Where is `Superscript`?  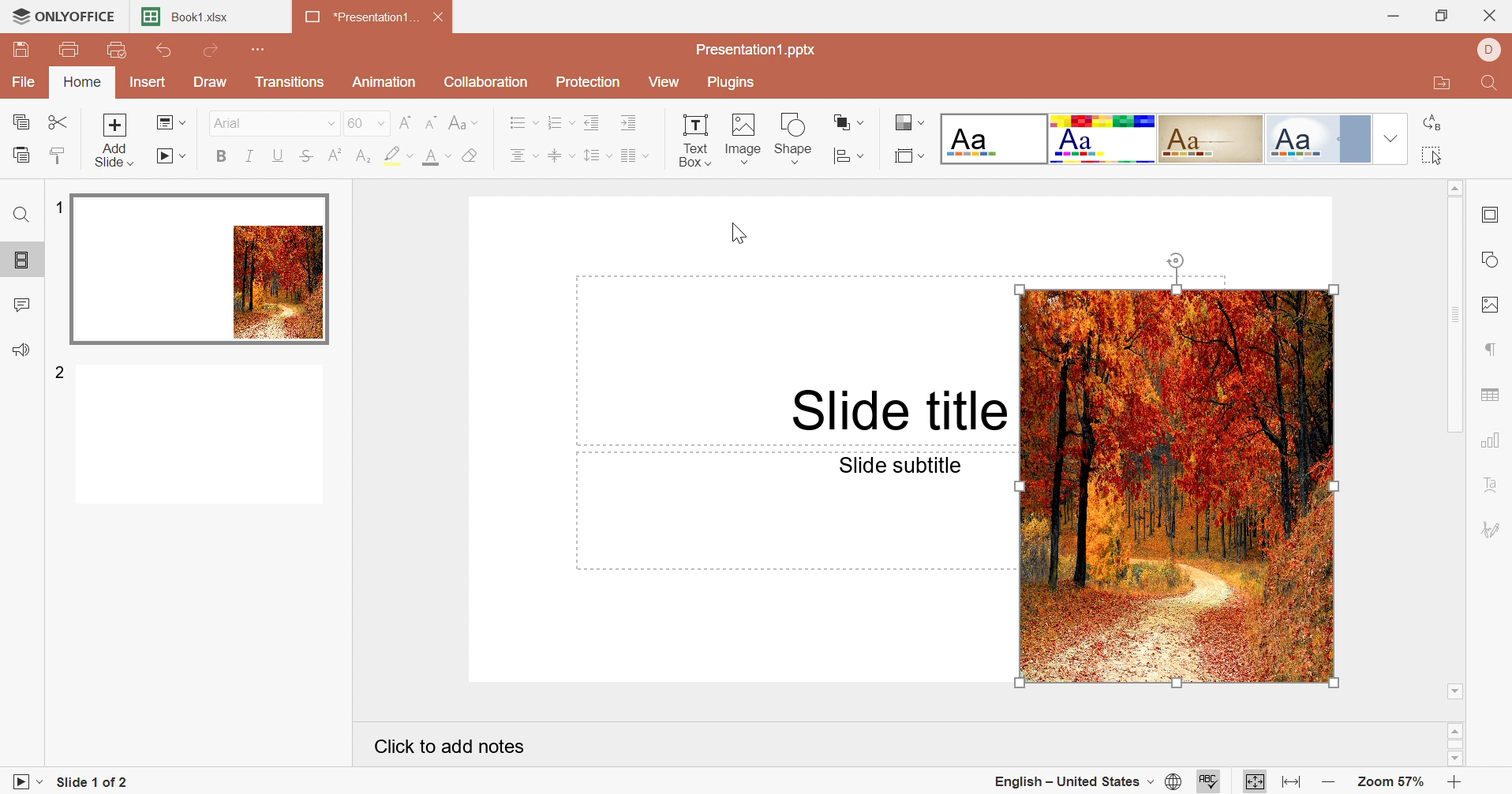 Superscript is located at coordinates (336, 158).